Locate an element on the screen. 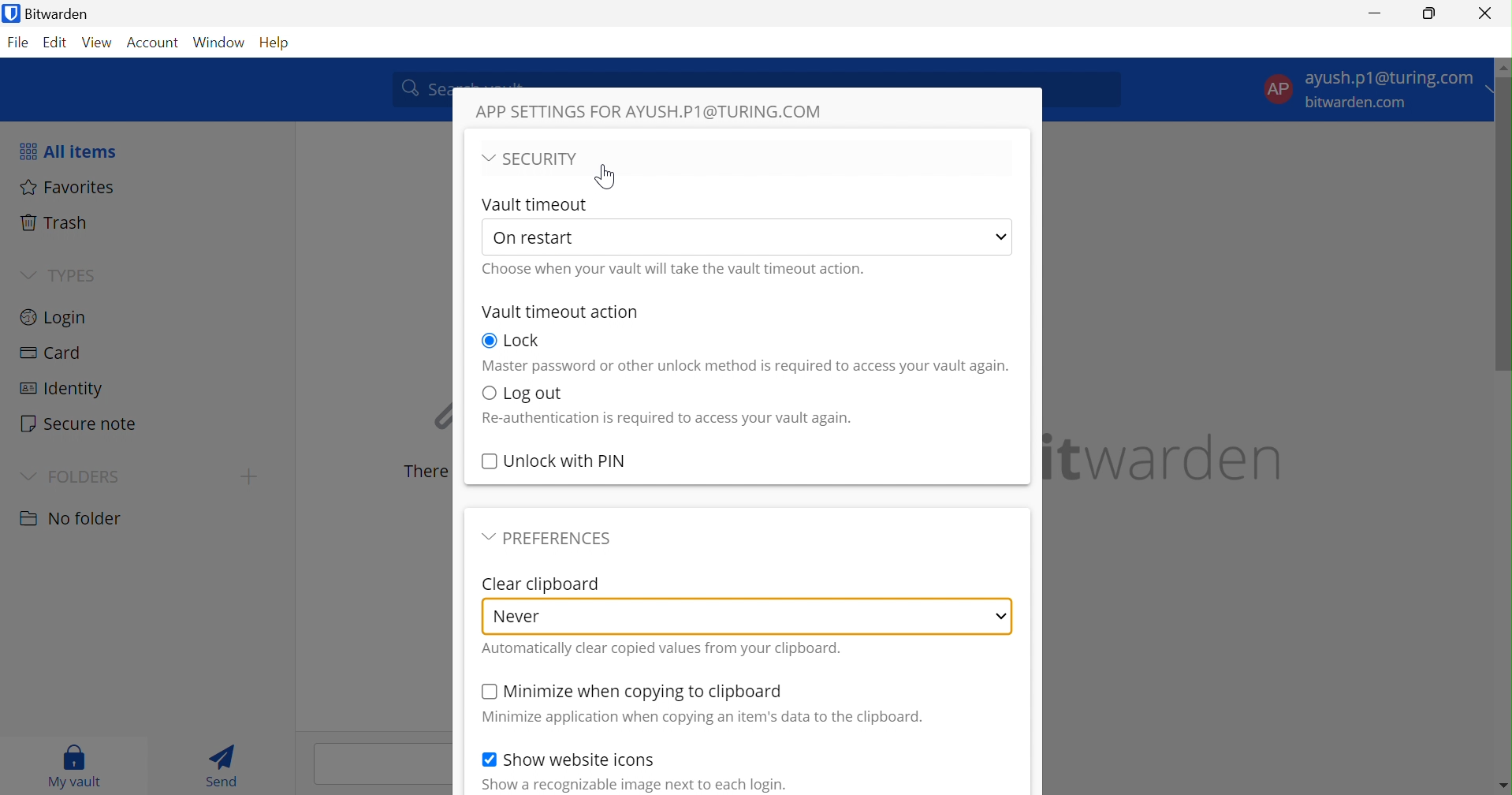  My vault is located at coordinates (70, 764).